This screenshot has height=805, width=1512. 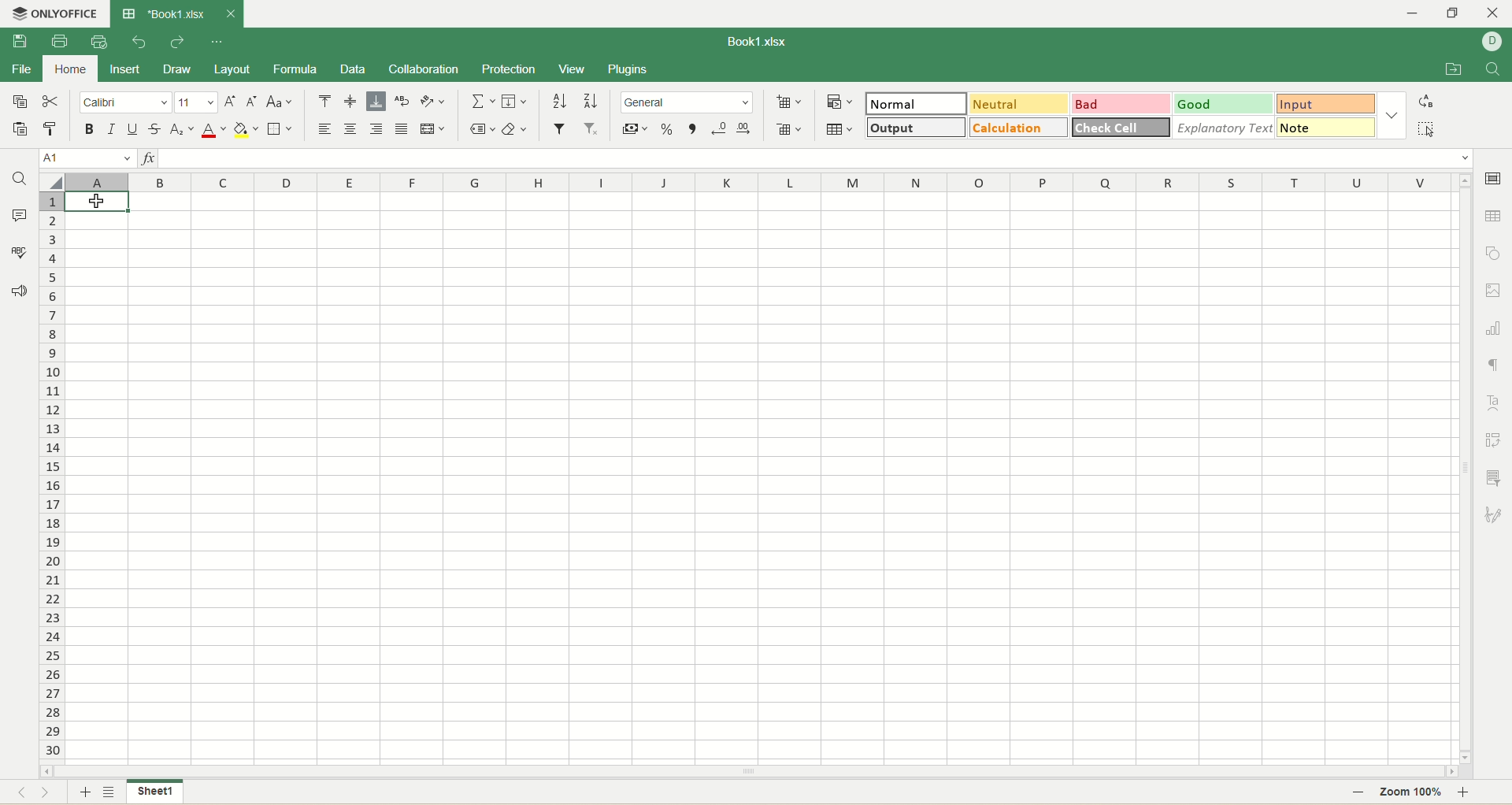 What do you see at coordinates (1495, 514) in the screenshot?
I see `signature settings` at bounding box center [1495, 514].